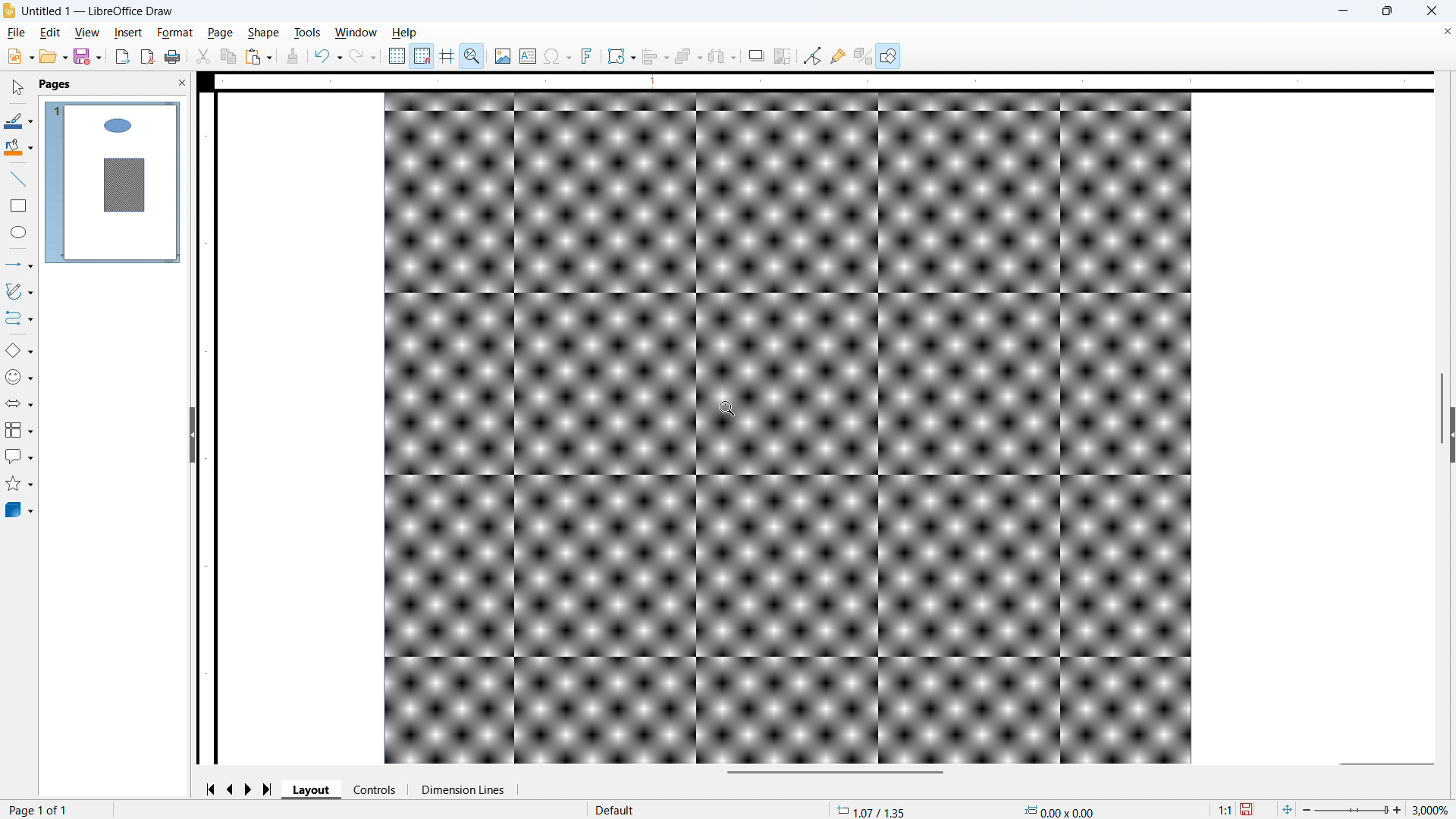  I want to click on Curves and polygons , so click(19, 291).